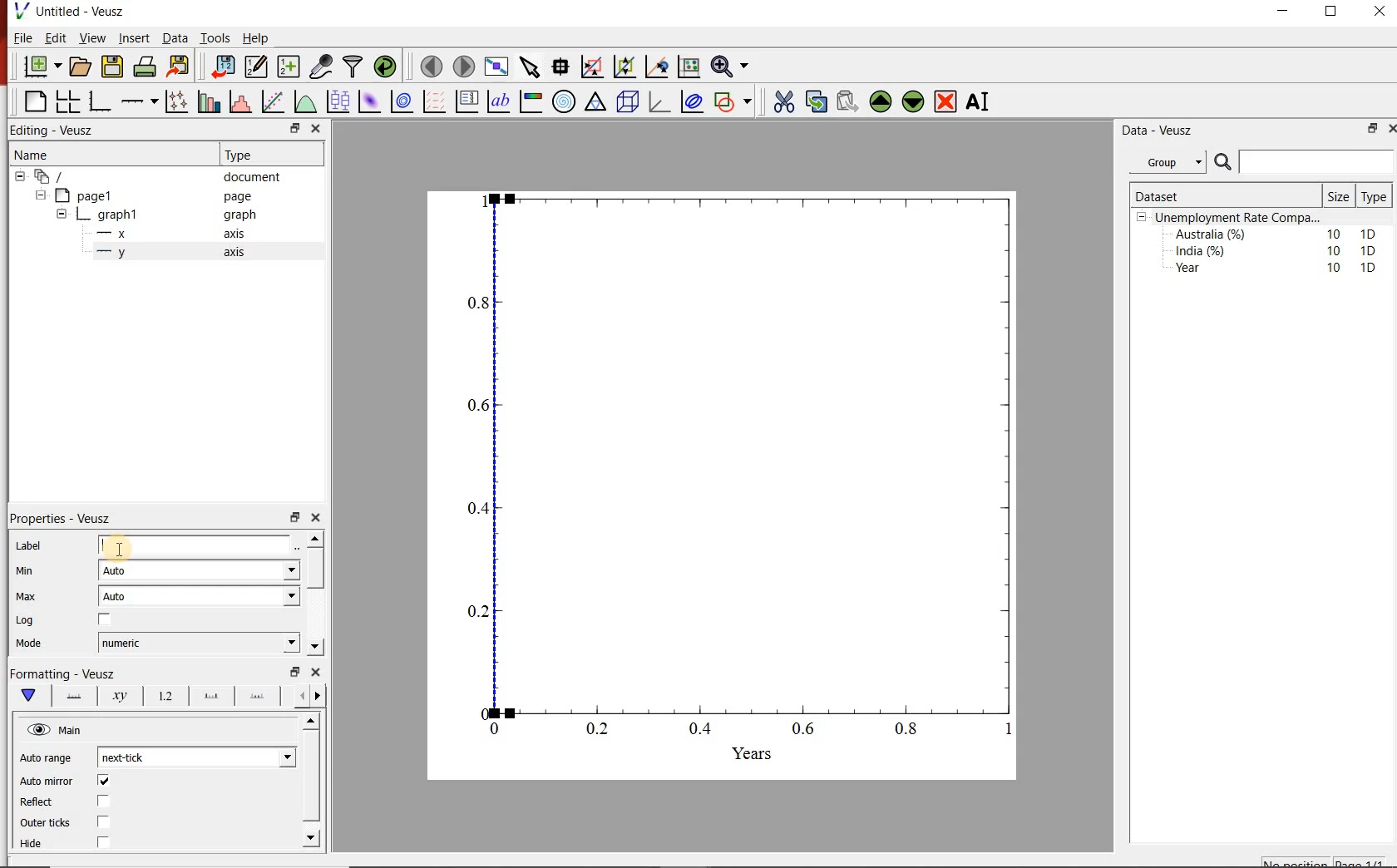  Describe the element at coordinates (625, 101) in the screenshot. I see `3d scenes` at that location.